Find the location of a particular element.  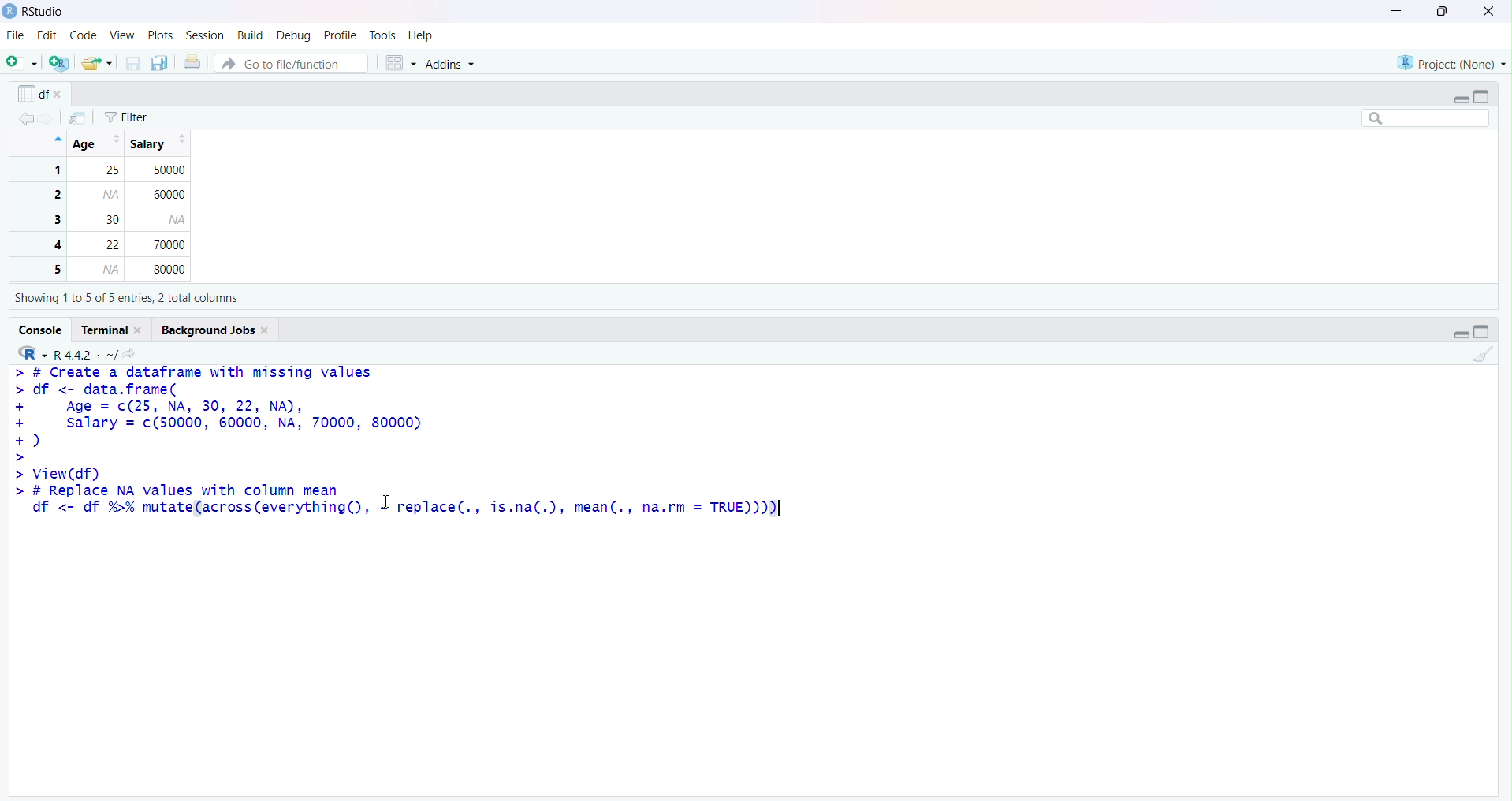

Filter is located at coordinates (128, 115).